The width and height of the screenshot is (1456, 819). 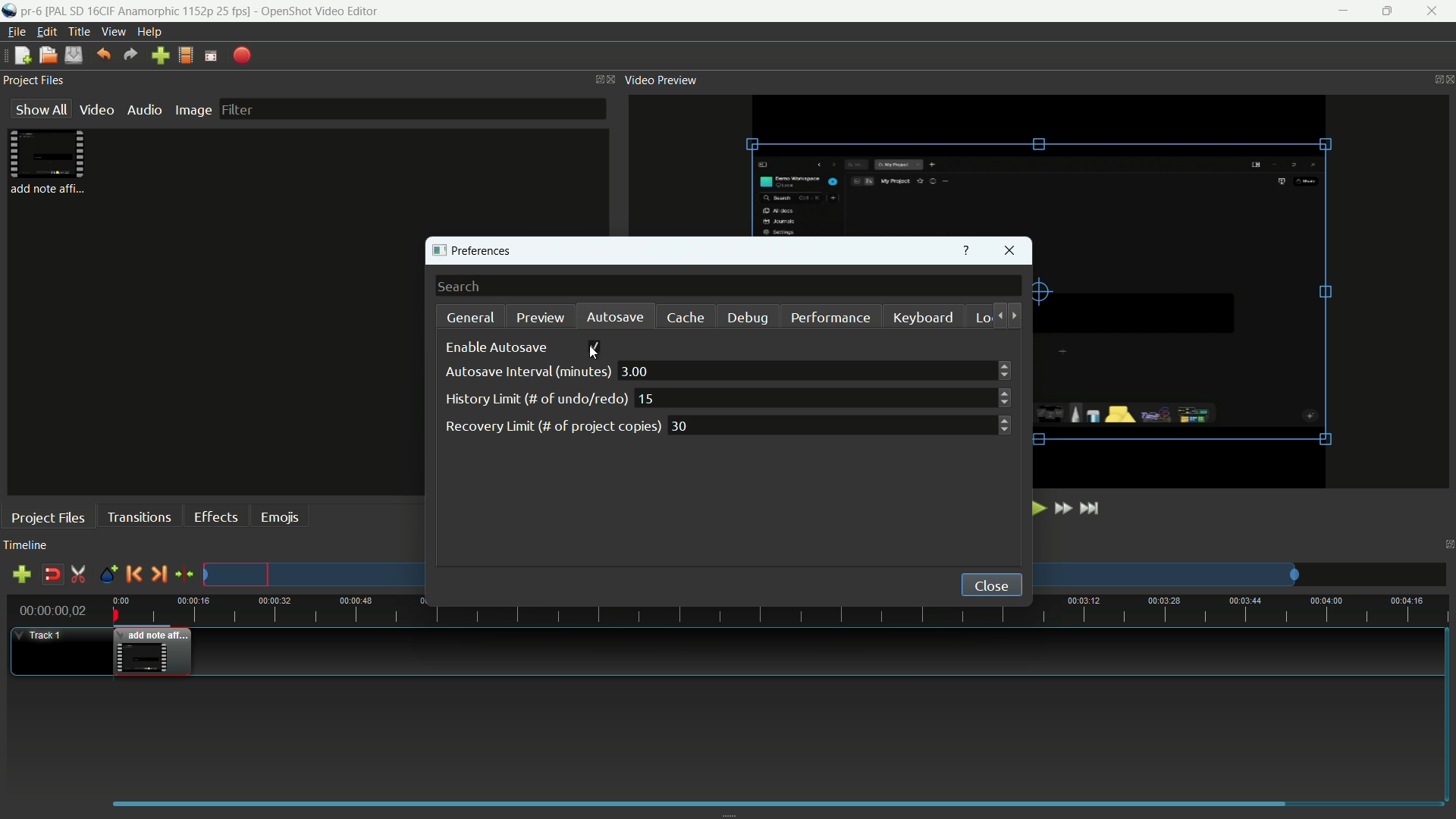 I want to click on show all, so click(x=39, y=108).